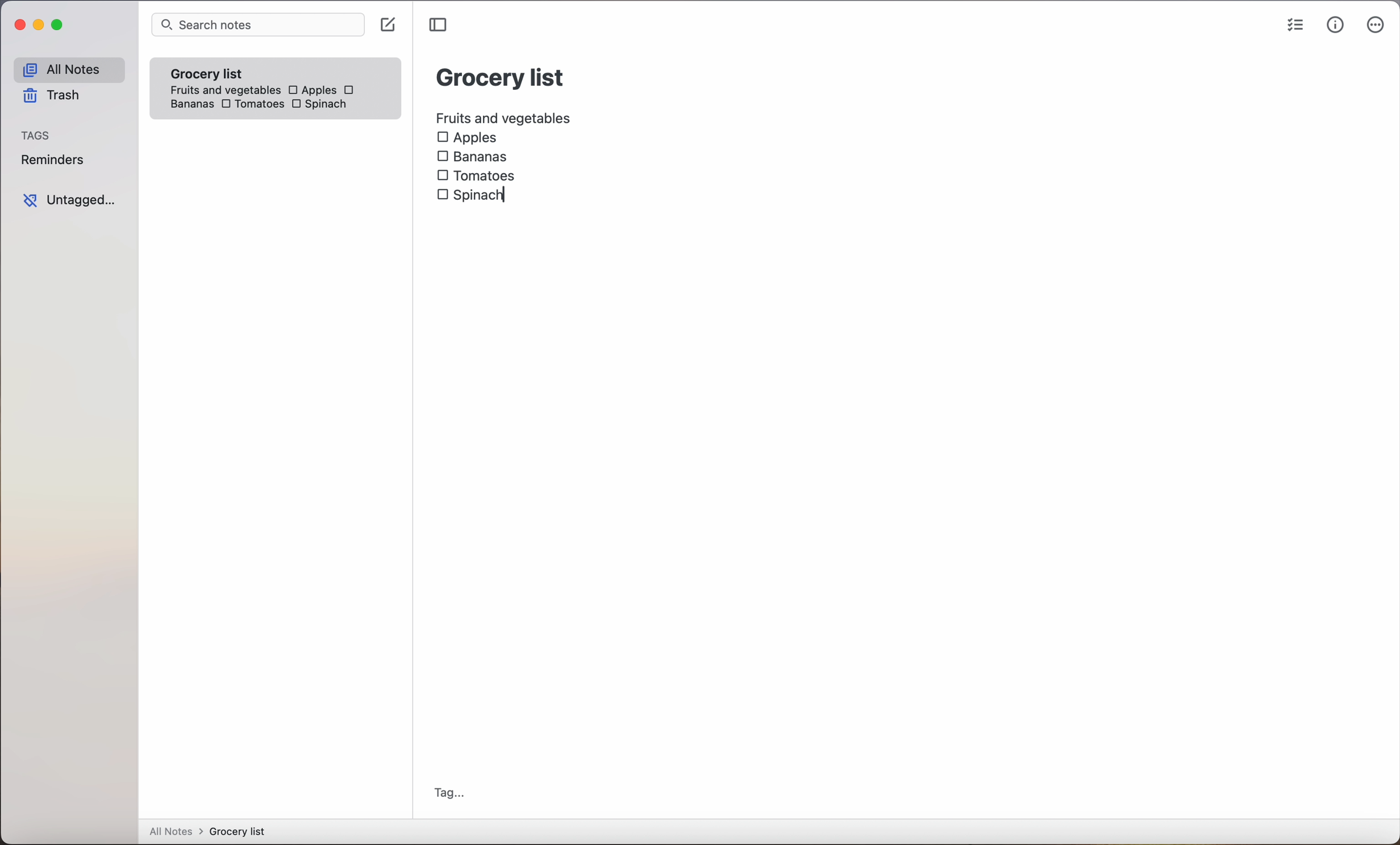 The height and width of the screenshot is (845, 1400). I want to click on trash, so click(50, 98).